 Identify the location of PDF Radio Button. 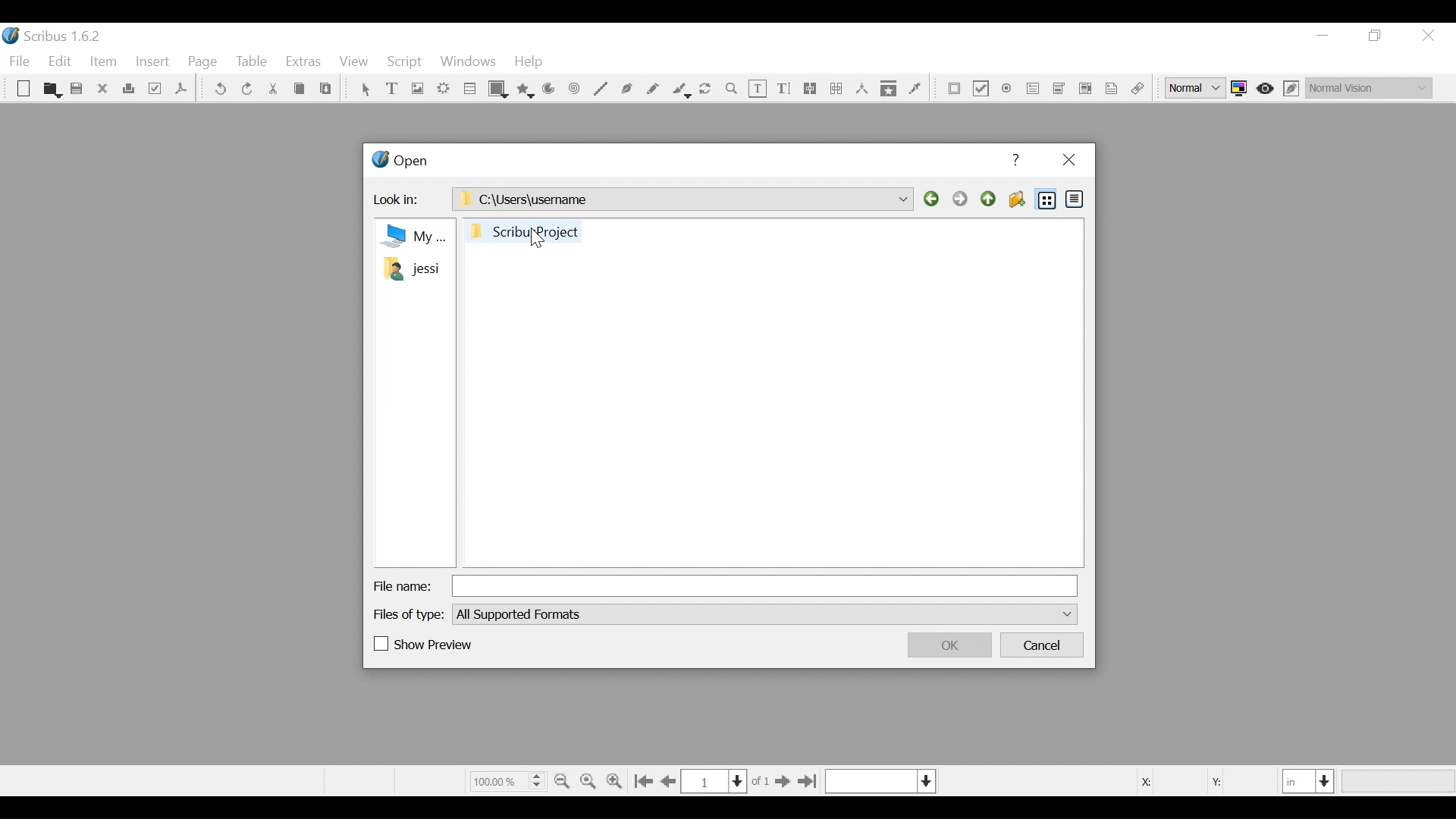
(1008, 90).